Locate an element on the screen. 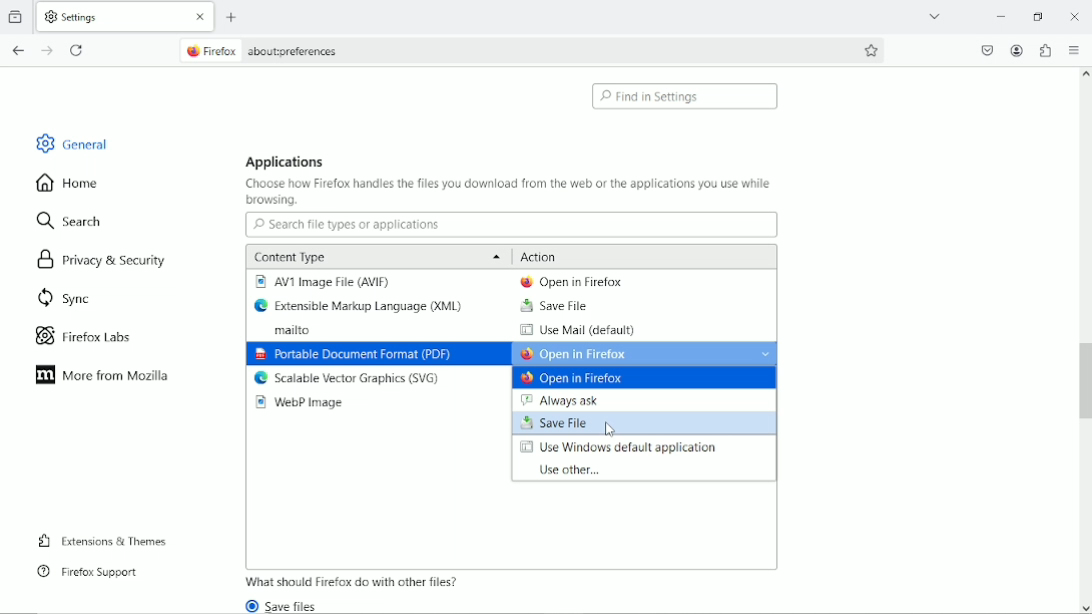 This screenshot has width=1092, height=614. Portable Document File is located at coordinates (352, 355).